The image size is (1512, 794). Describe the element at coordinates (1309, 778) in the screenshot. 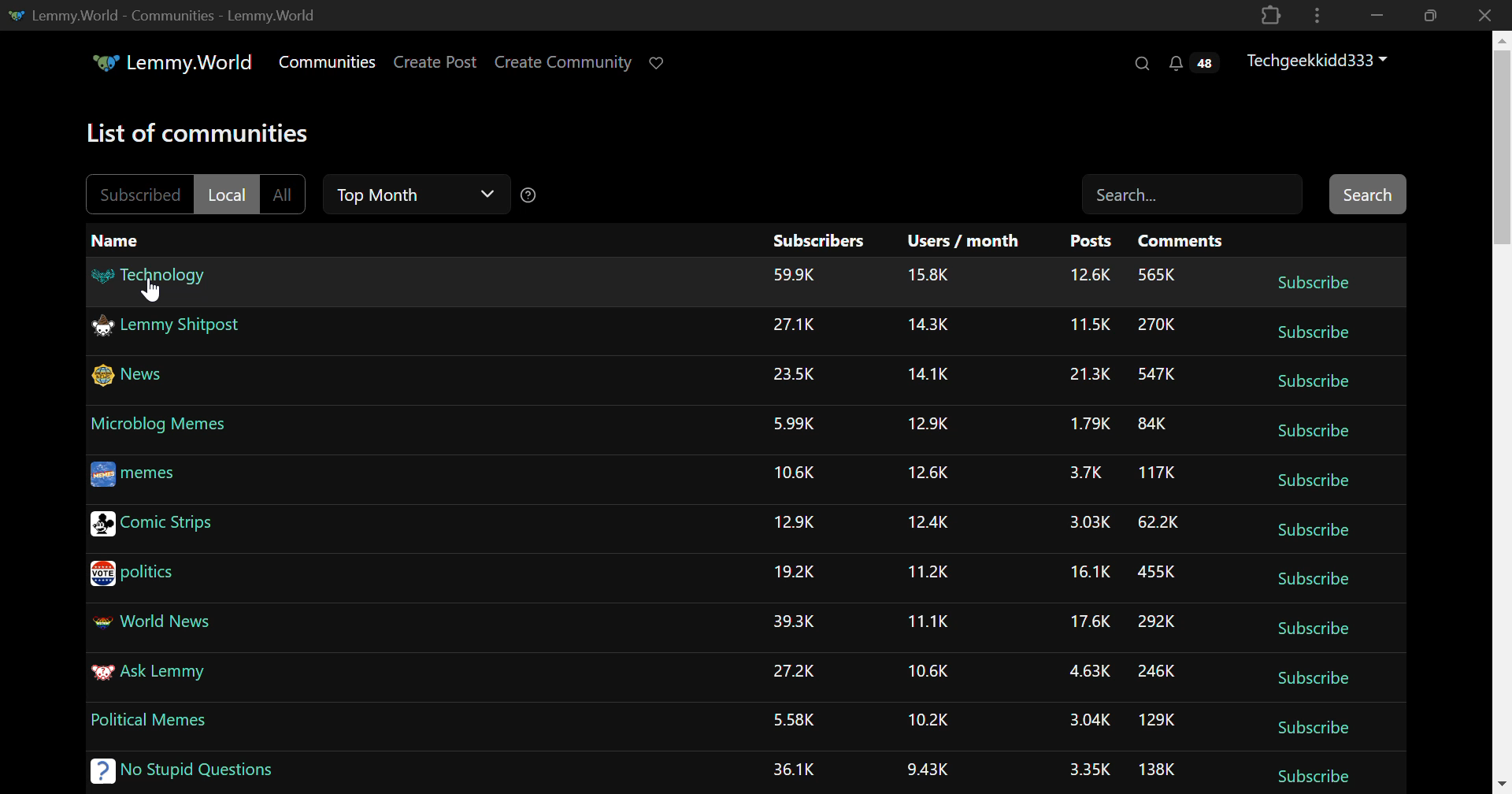

I see `Subscribe` at that location.